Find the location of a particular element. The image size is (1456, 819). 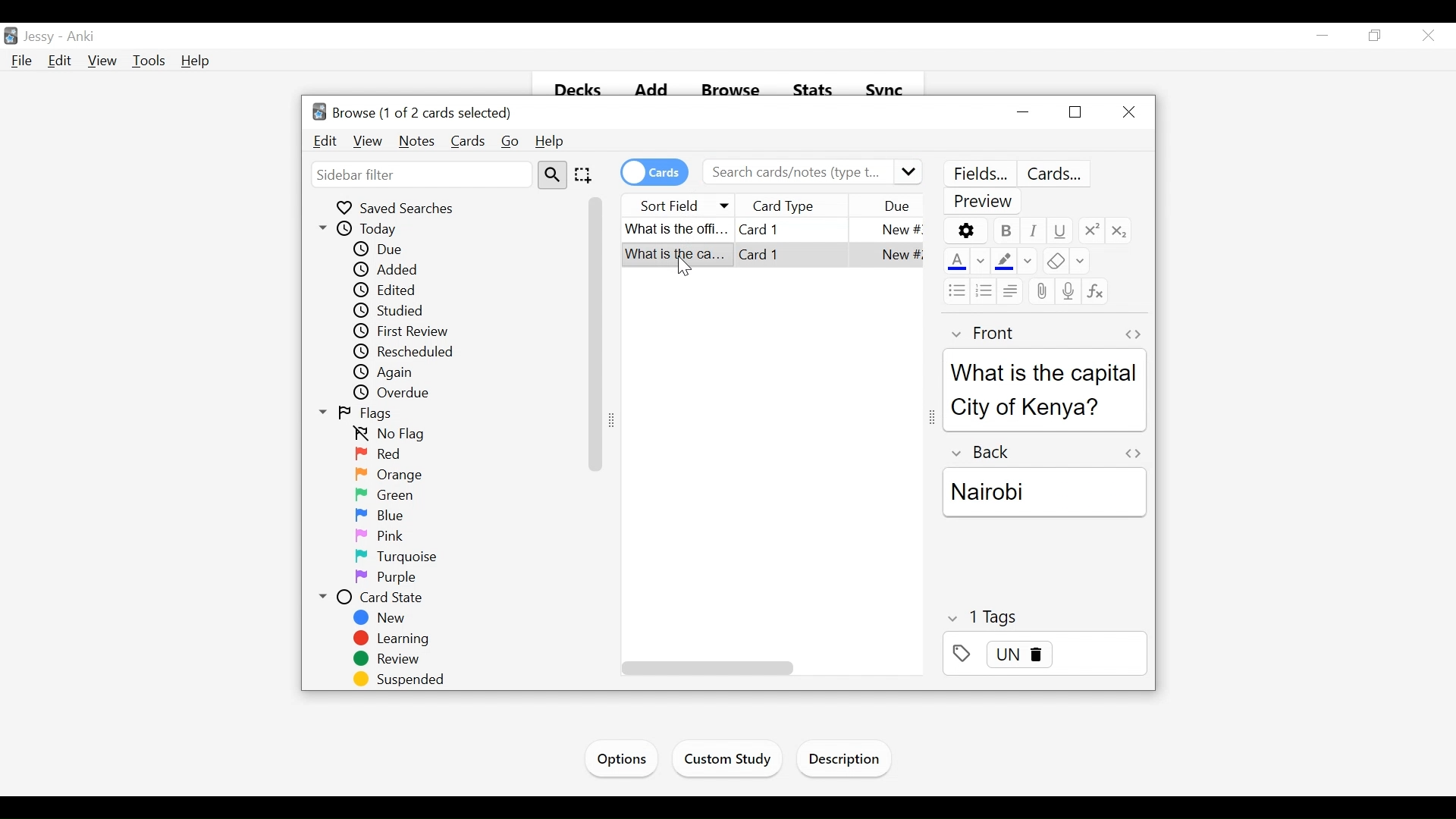

options is located at coordinates (965, 231).